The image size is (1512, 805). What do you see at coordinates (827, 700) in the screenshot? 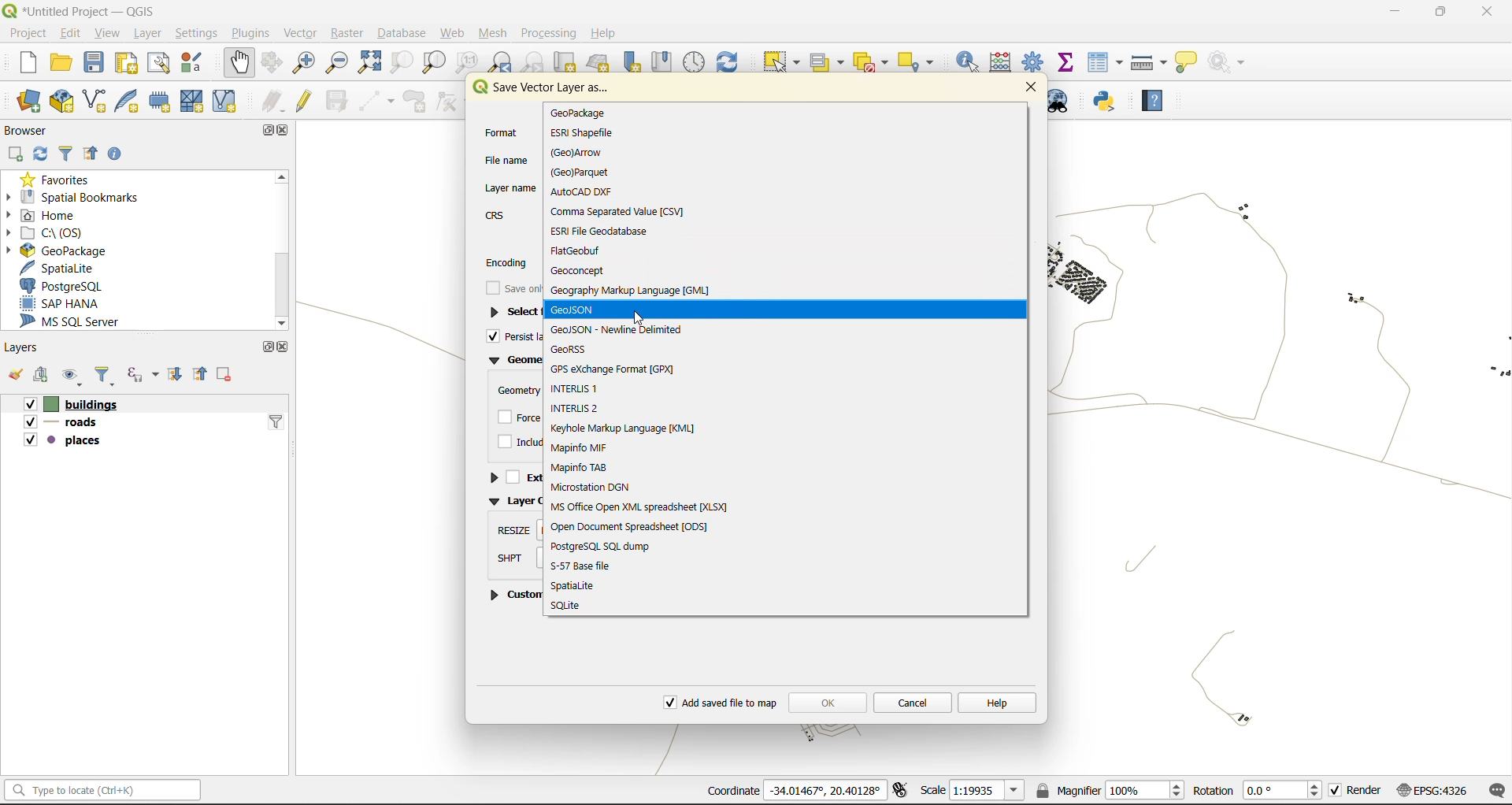
I see `ok` at bounding box center [827, 700].